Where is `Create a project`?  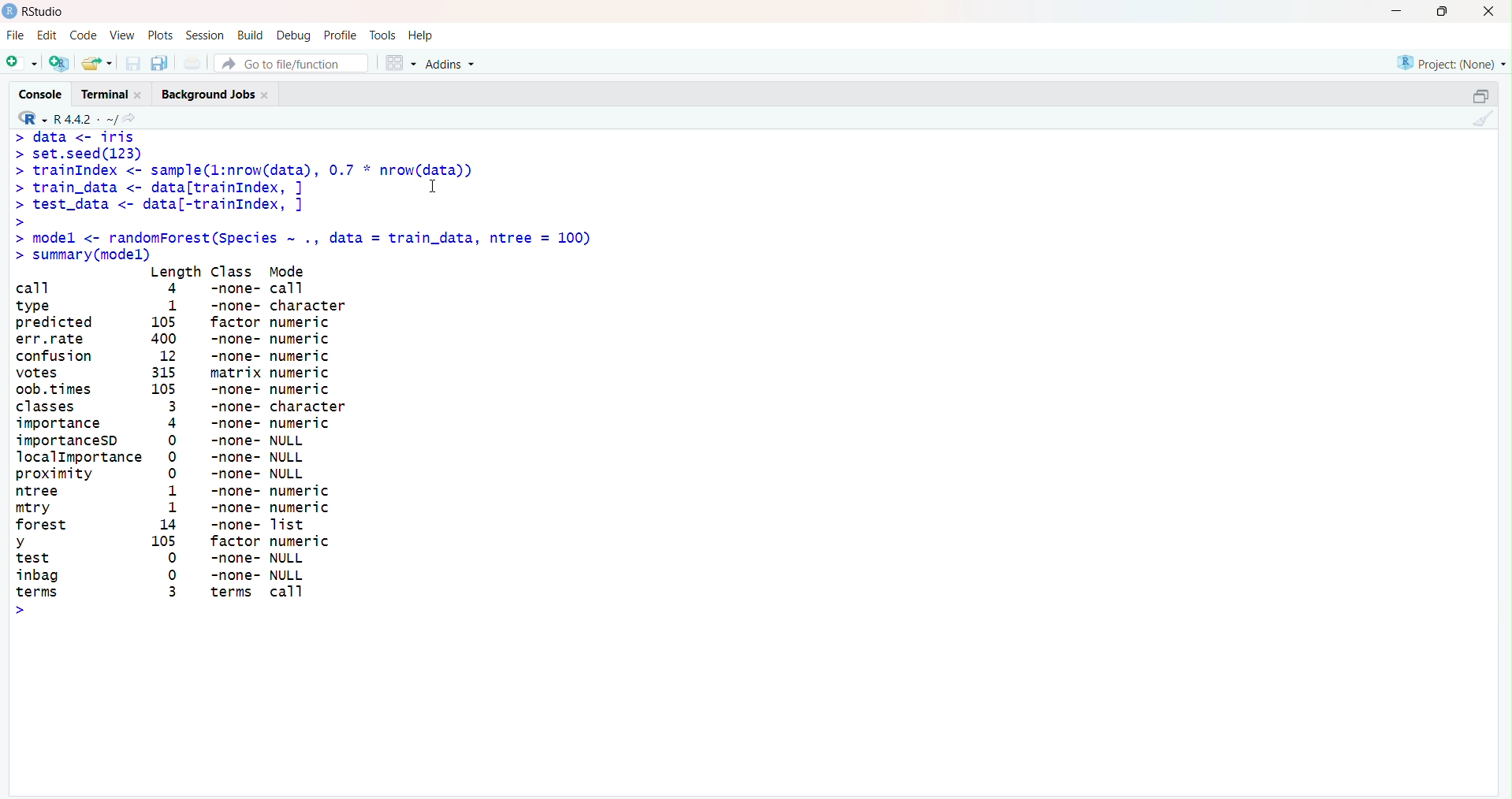
Create a project is located at coordinates (60, 61).